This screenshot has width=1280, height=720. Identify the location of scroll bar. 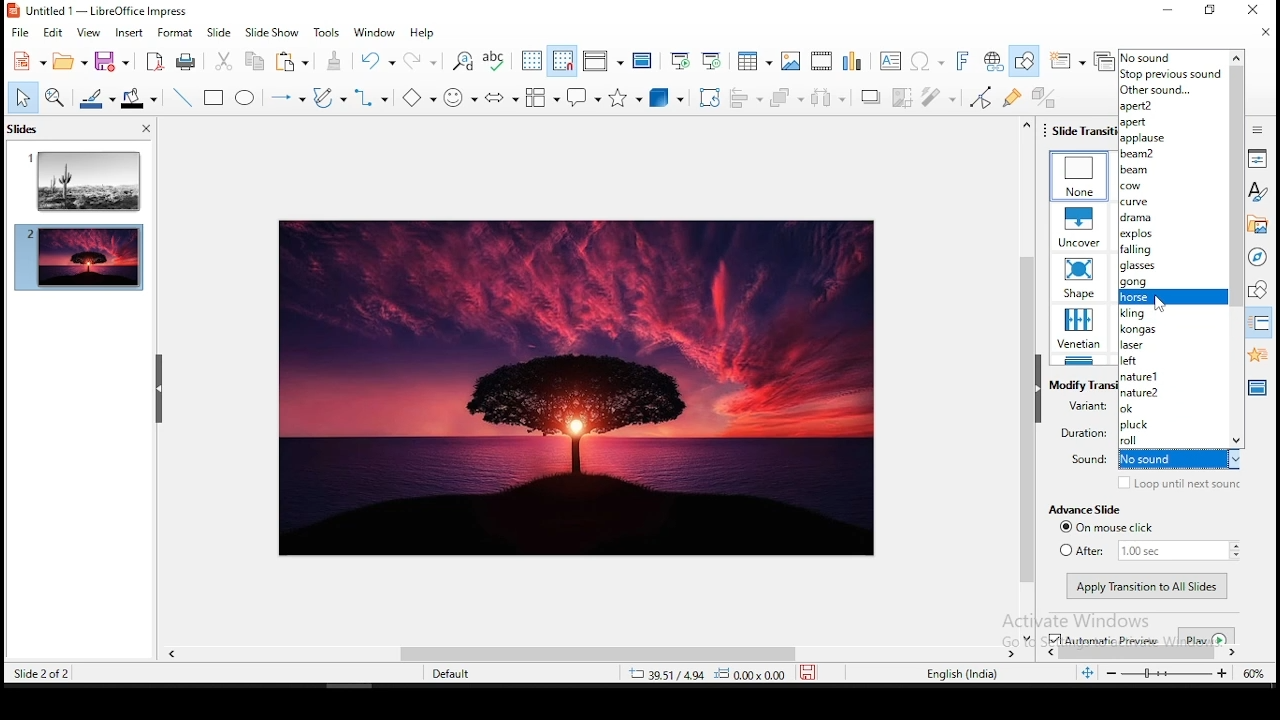
(1027, 380).